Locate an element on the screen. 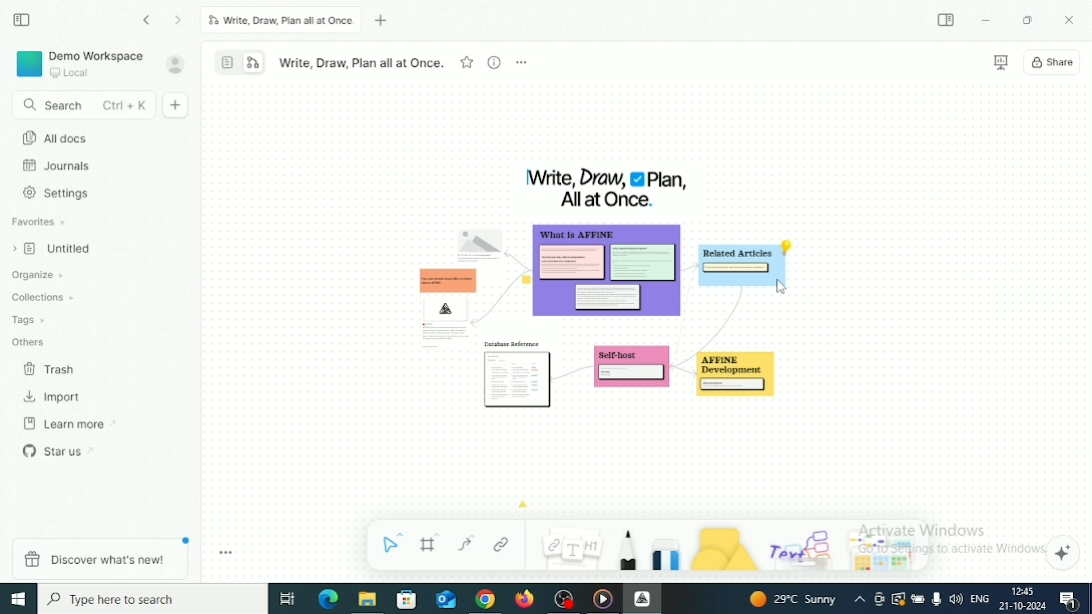 Image resolution: width=1092 pixels, height=614 pixels. Star us is located at coordinates (59, 450).